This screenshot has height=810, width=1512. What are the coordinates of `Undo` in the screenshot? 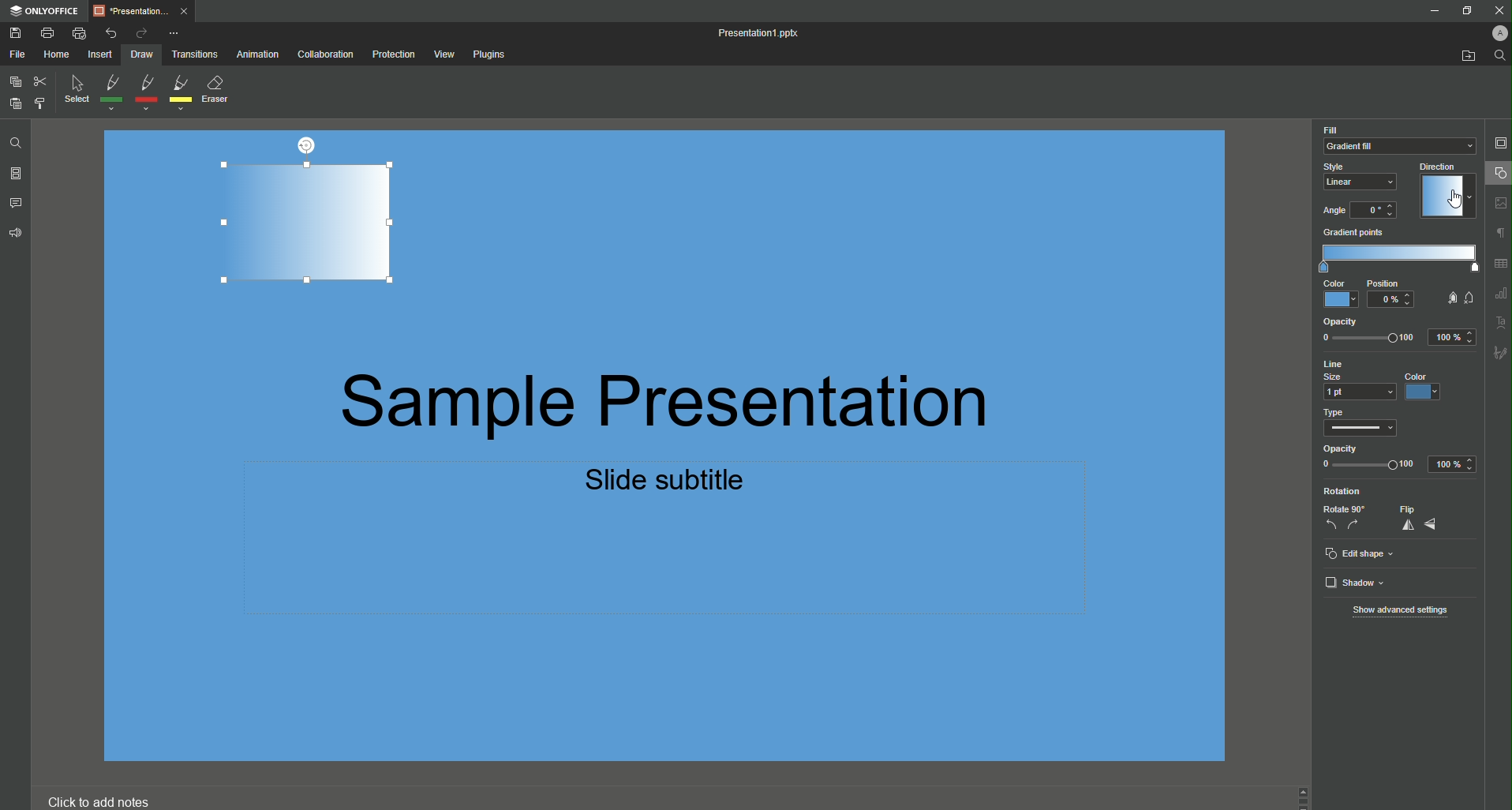 It's located at (111, 31).